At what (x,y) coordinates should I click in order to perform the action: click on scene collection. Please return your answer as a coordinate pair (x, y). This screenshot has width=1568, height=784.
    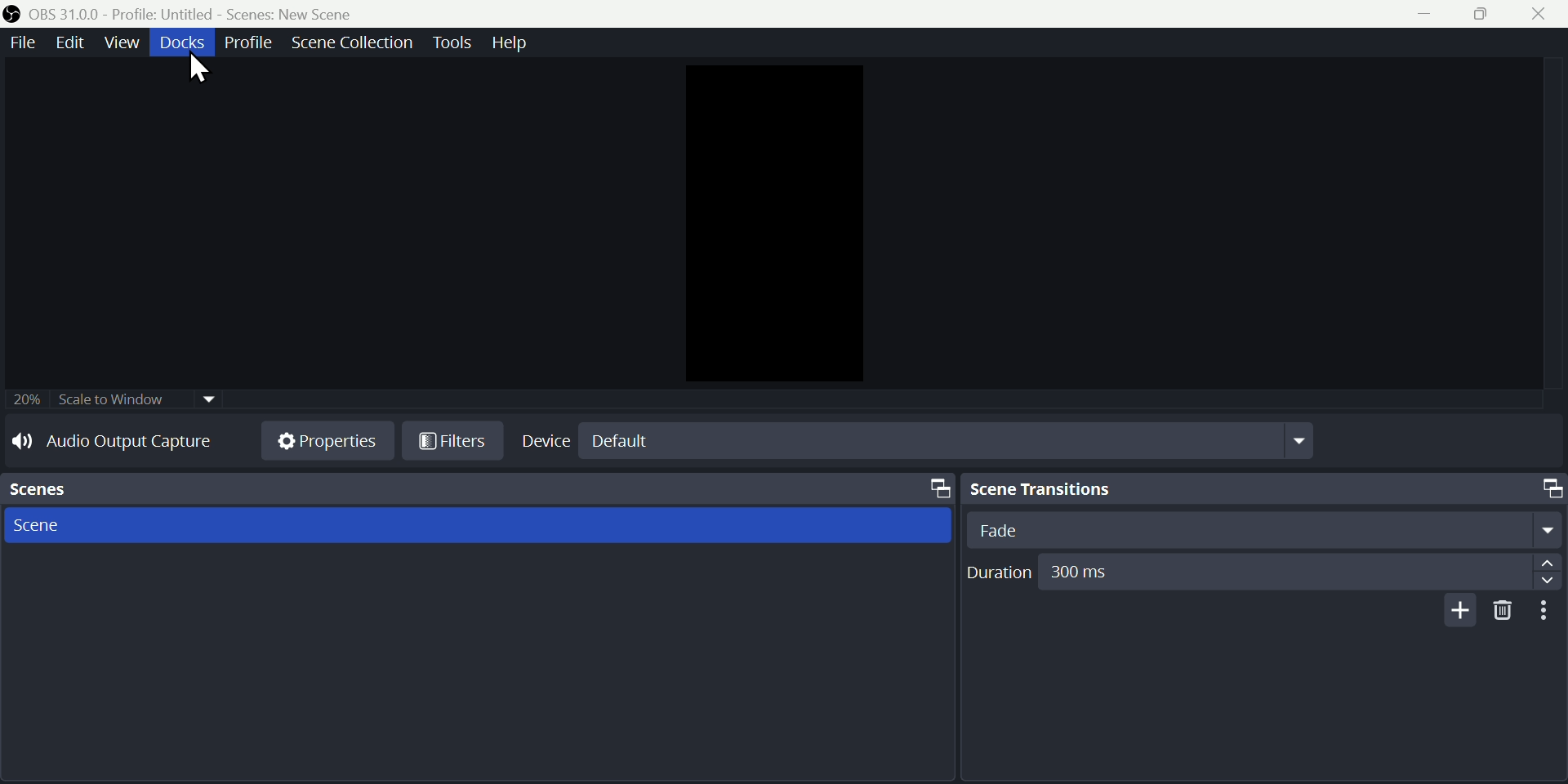
    Looking at the image, I should click on (350, 42).